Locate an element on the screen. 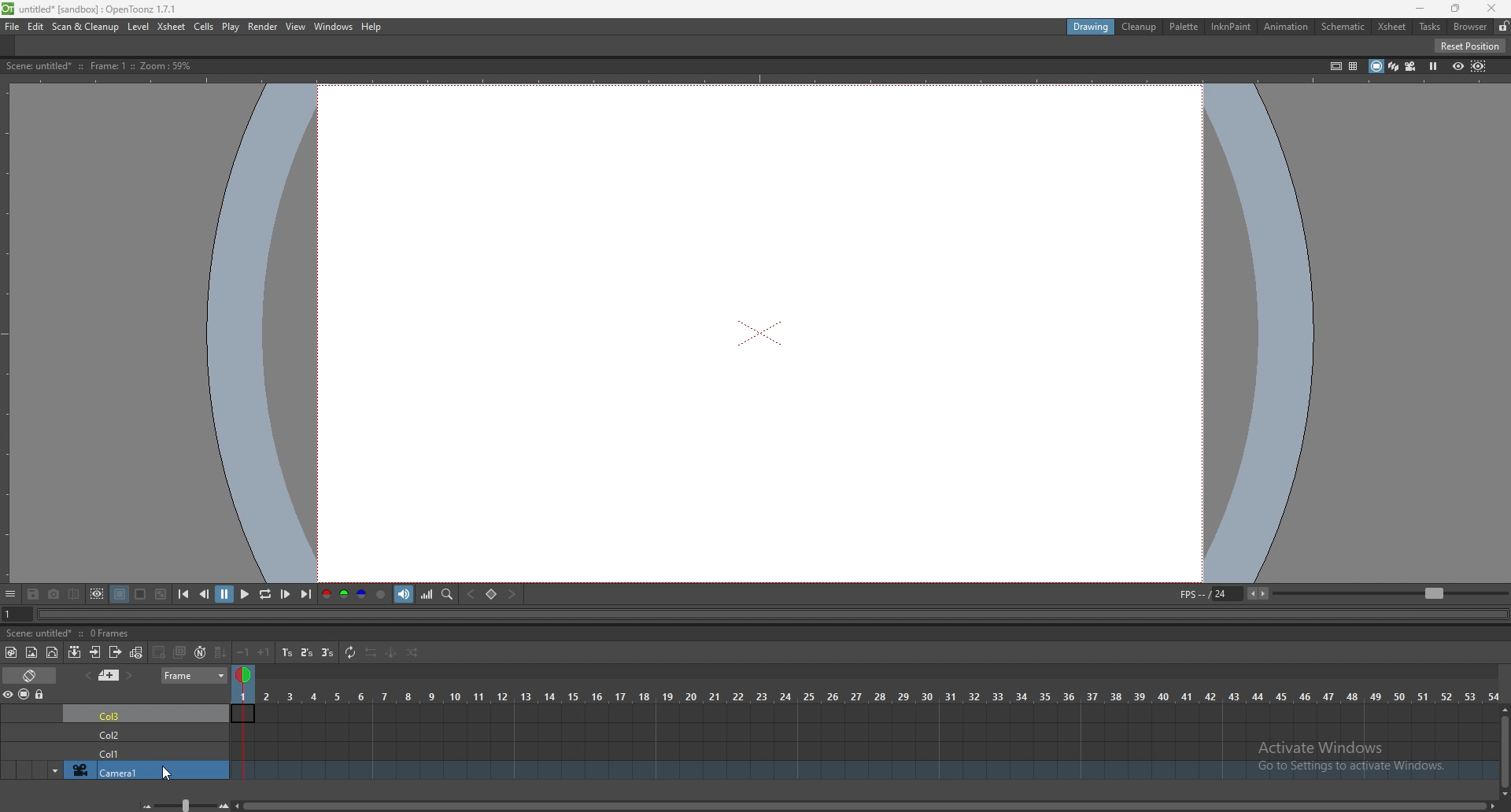 This screenshot has height=812, width=1511. alpha is located at coordinates (382, 594).